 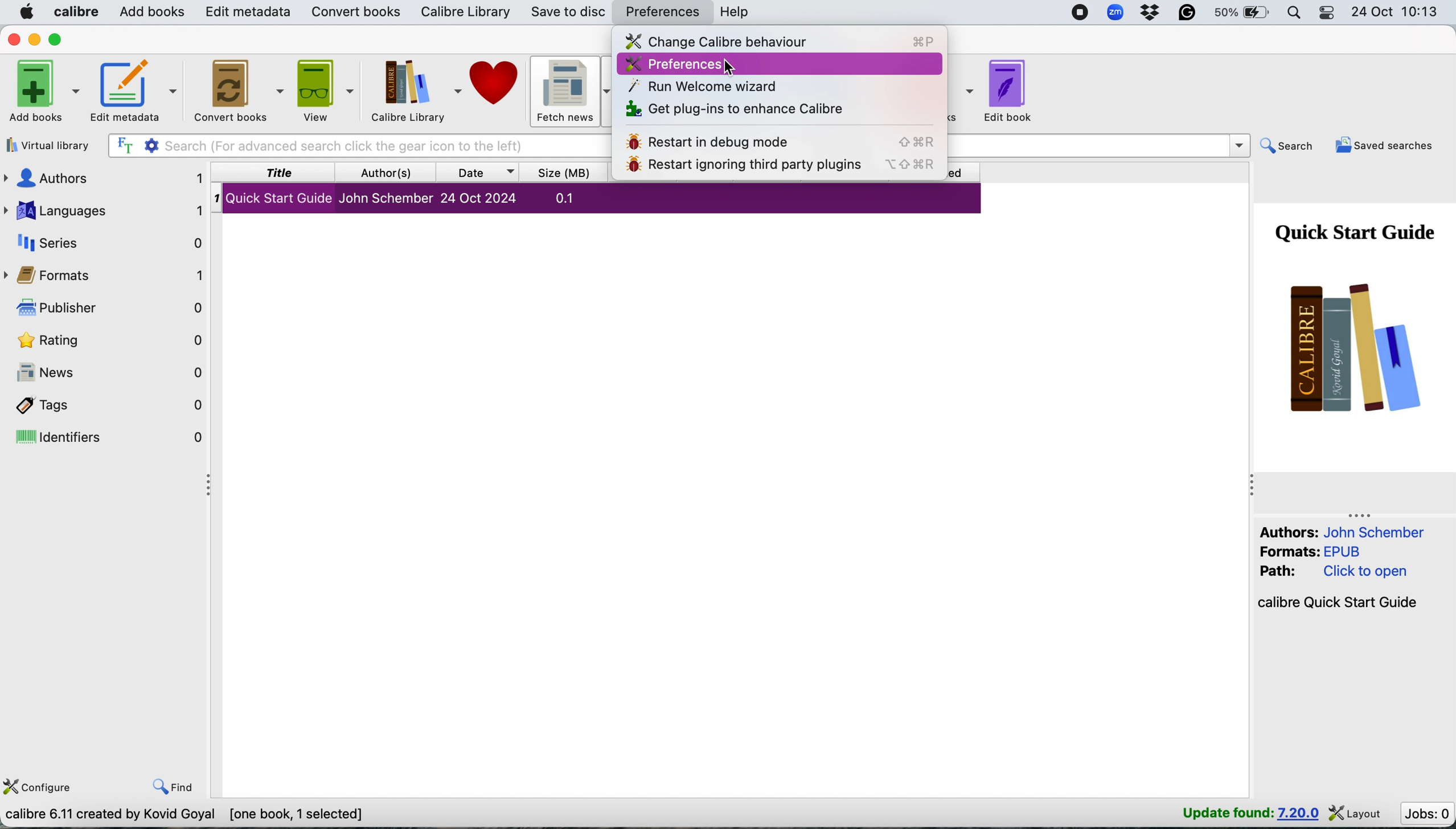 What do you see at coordinates (103, 178) in the screenshot?
I see `authors` at bounding box center [103, 178].